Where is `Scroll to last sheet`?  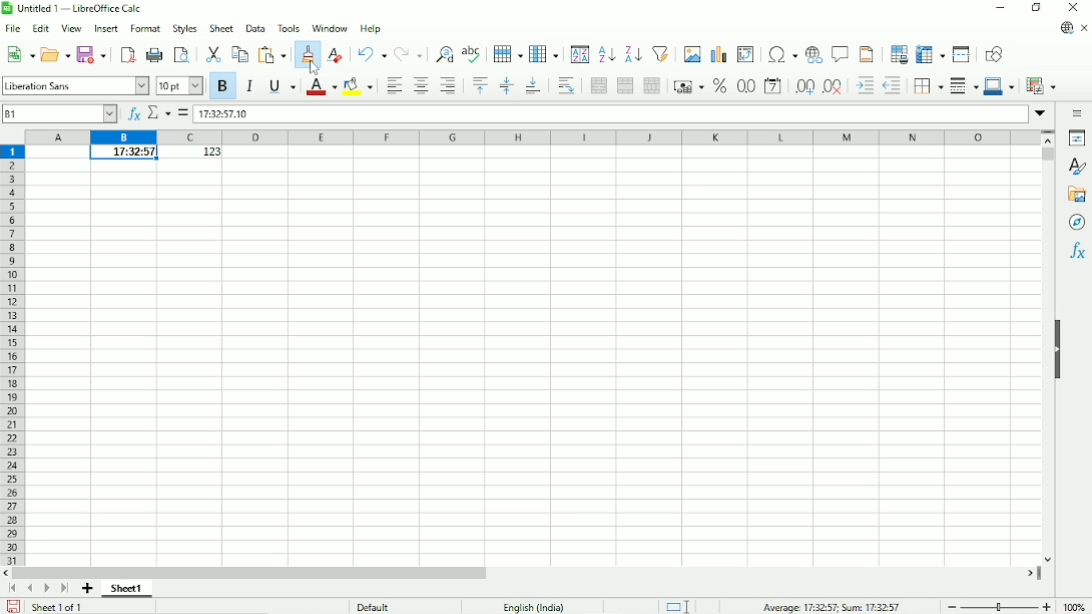 Scroll to last sheet is located at coordinates (64, 589).